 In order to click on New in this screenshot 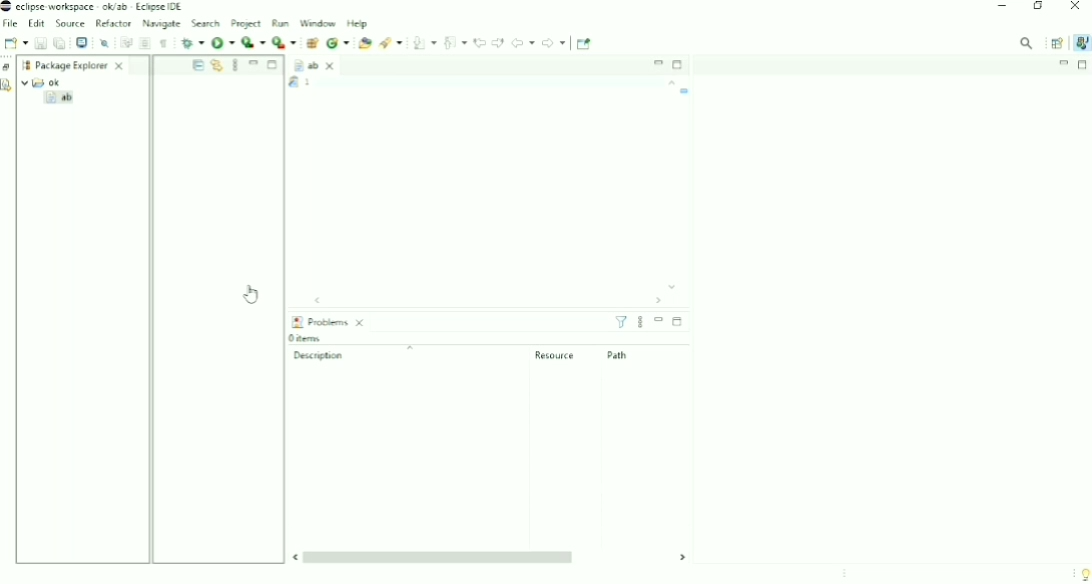, I will do `click(15, 43)`.